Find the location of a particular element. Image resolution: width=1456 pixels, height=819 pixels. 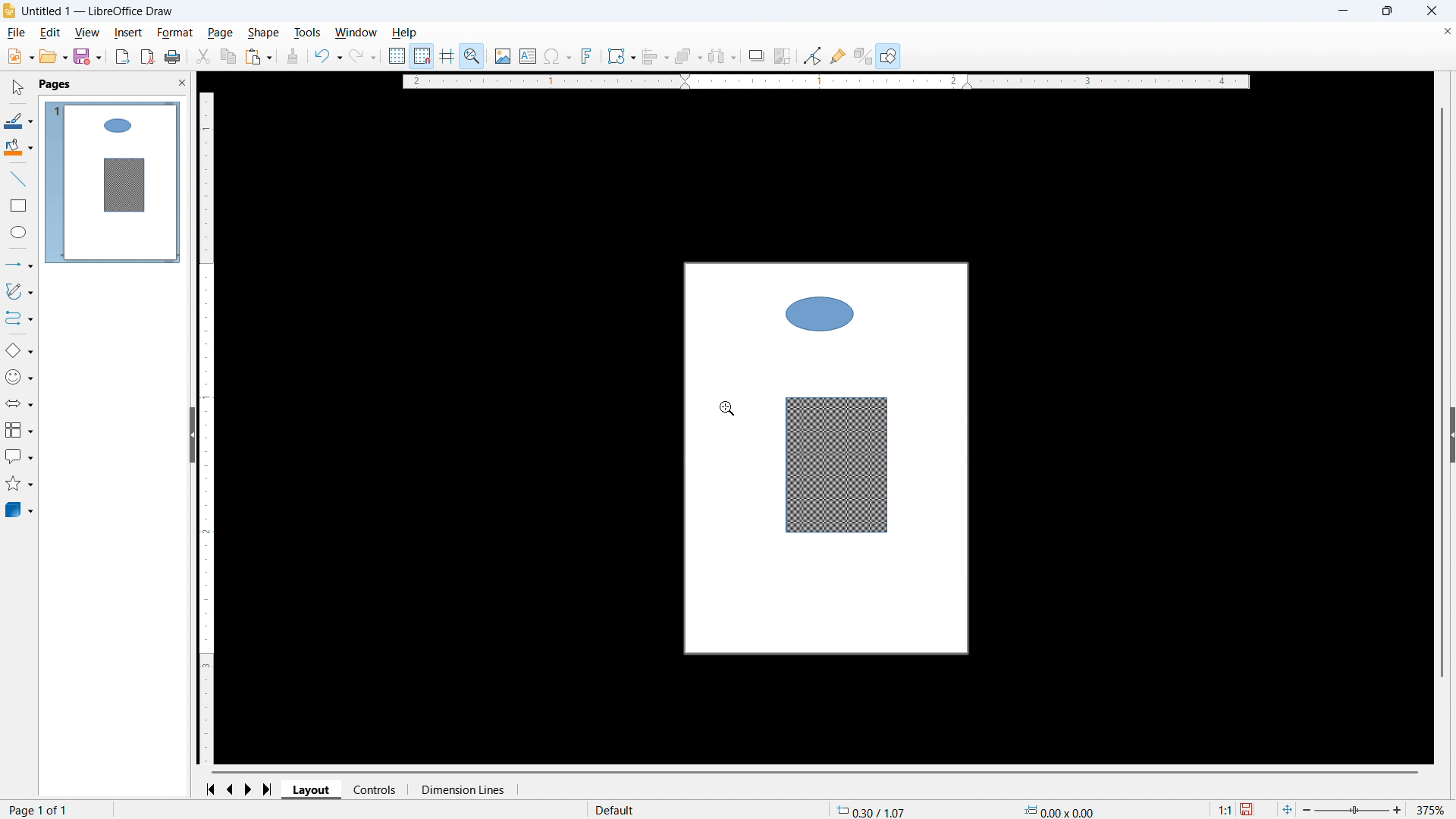

Curves and polygons  is located at coordinates (19, 291).